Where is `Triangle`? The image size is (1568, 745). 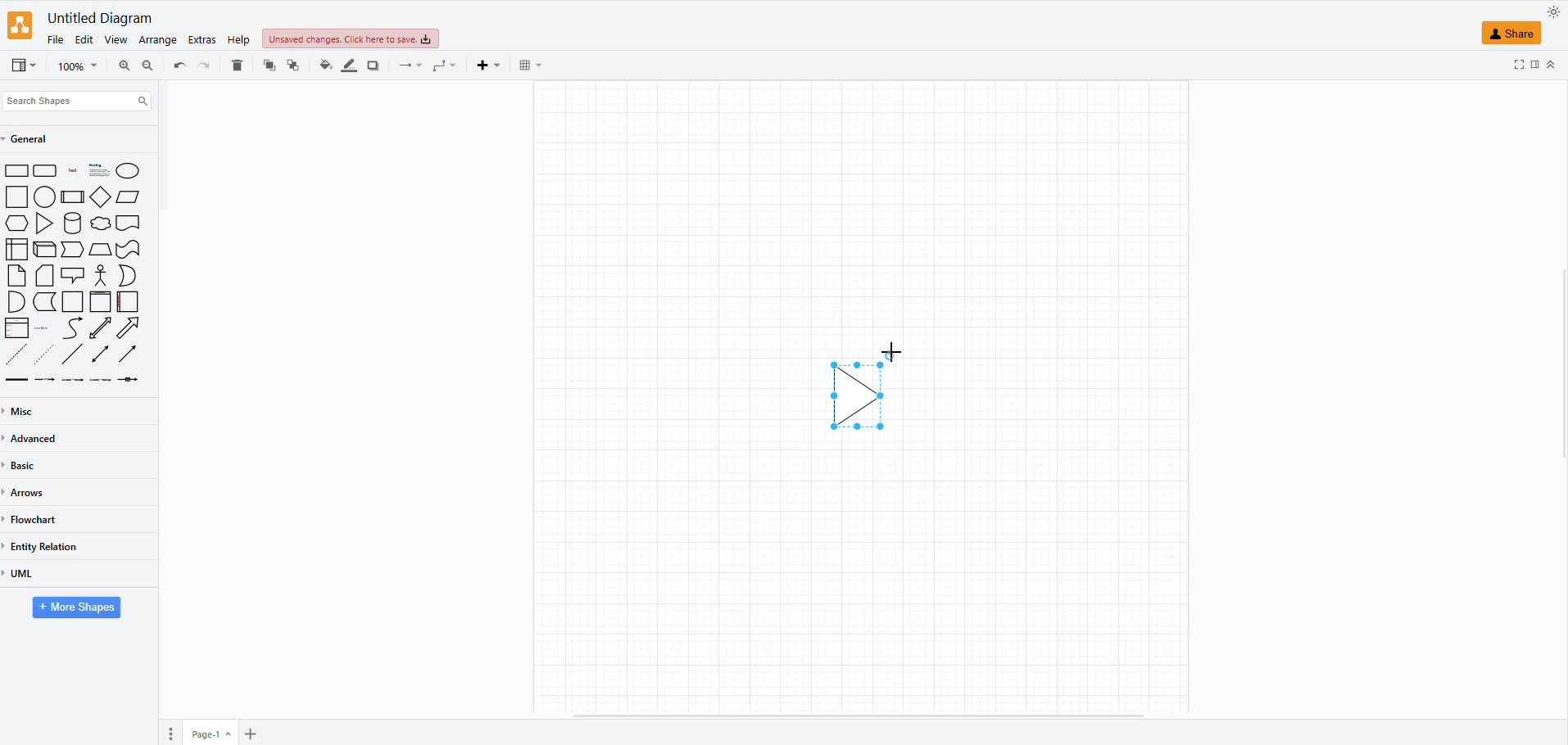
Triangle is located at coordinates (47, 223).